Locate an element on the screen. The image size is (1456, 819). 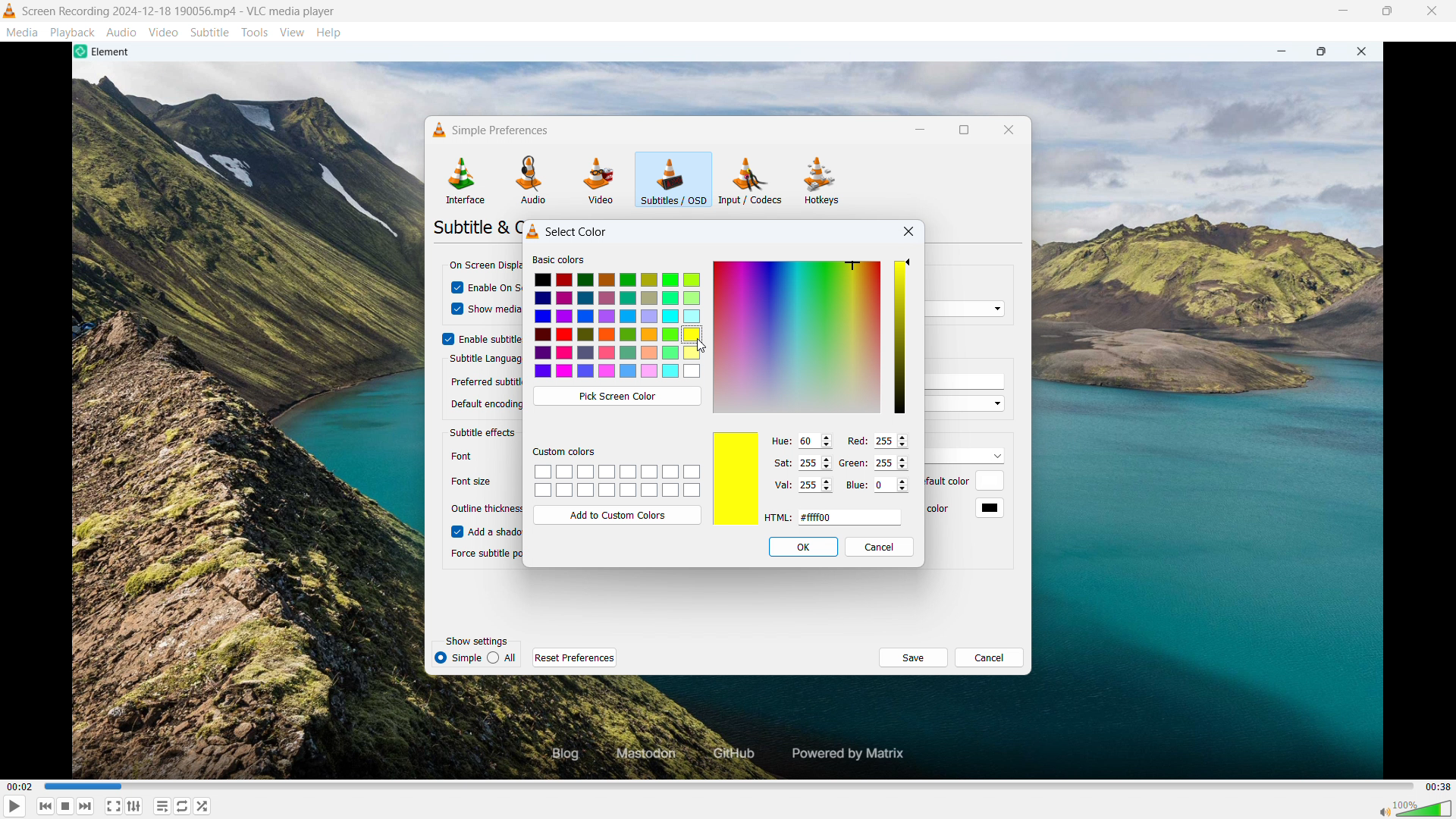
On screen display  is located at coordinates (483, 267).